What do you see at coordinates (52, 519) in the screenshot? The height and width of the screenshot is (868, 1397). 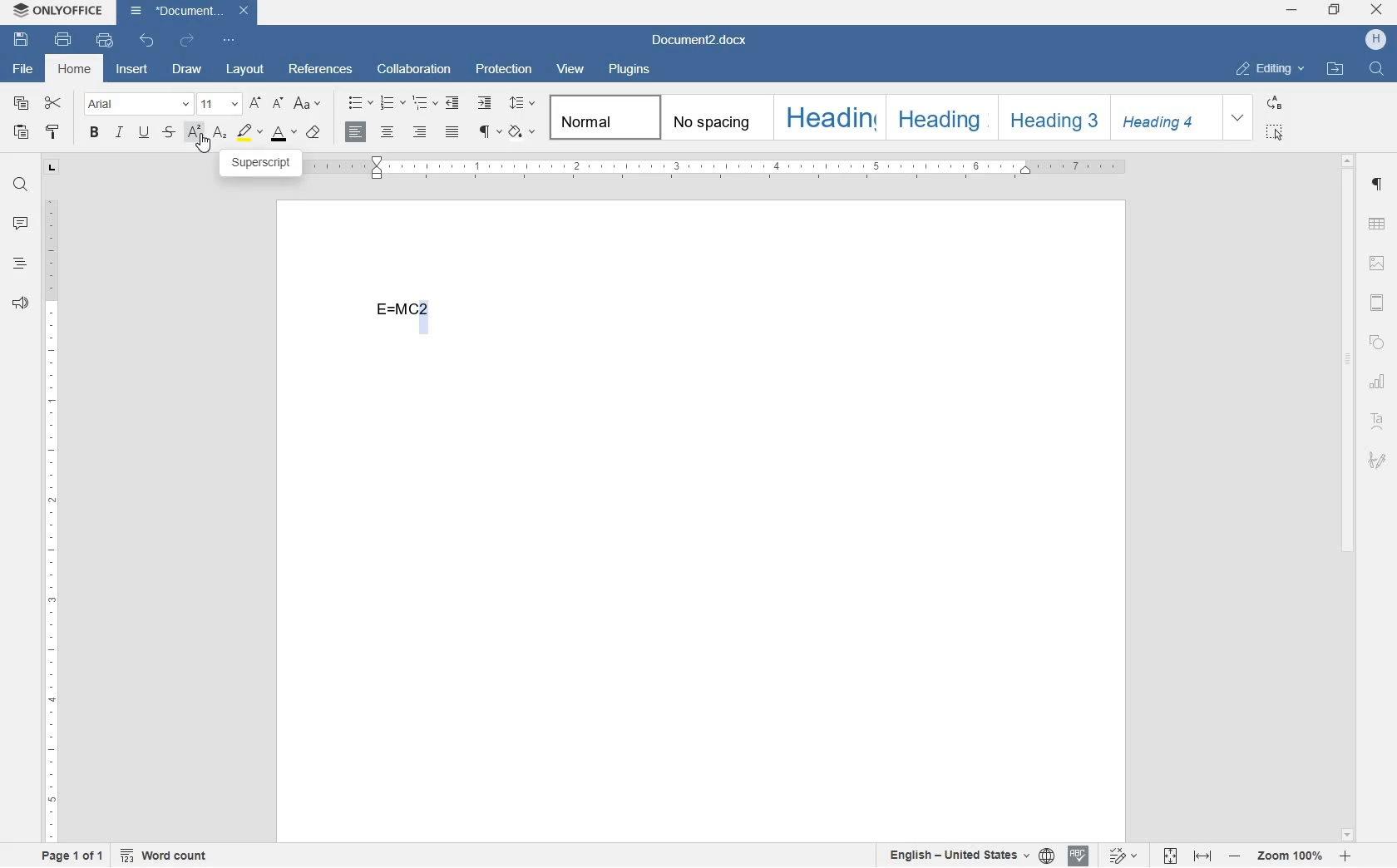 I see `ruler` at bounding box center [52, 519].